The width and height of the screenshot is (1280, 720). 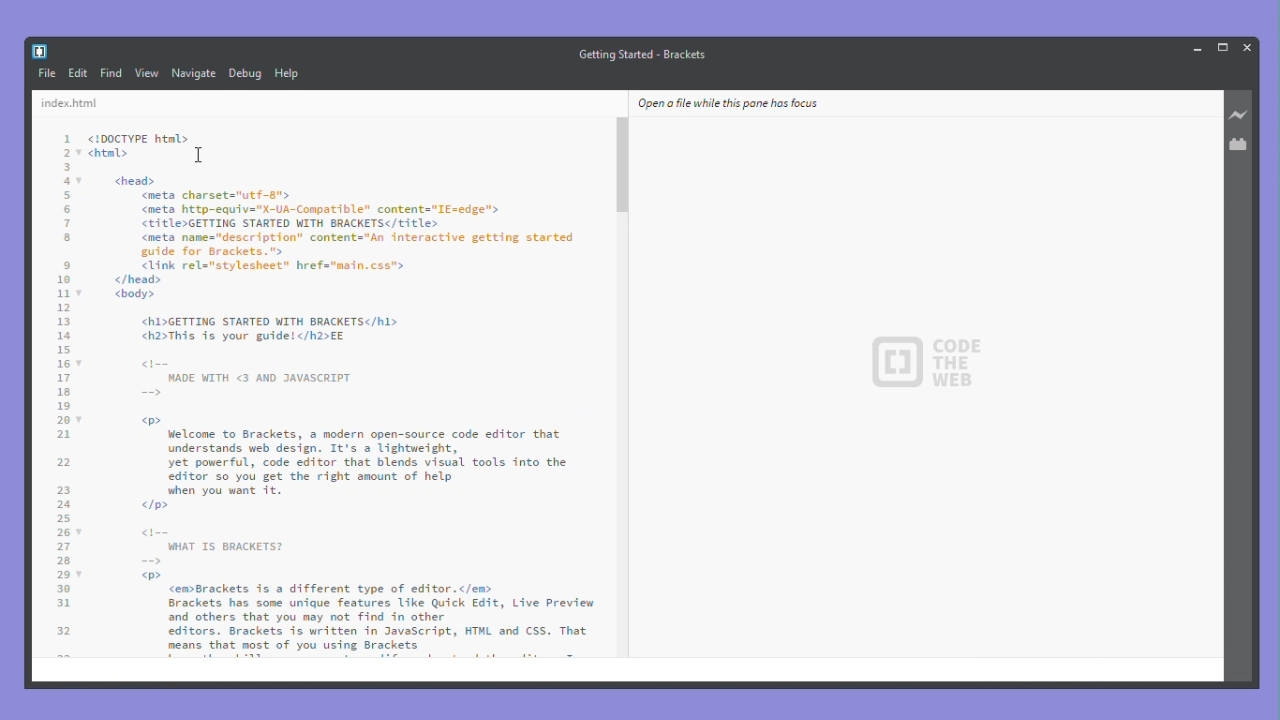 What do you see at coordinates (63, 393) in the screenshot?
I see `18` at bounding box center [63, 393].